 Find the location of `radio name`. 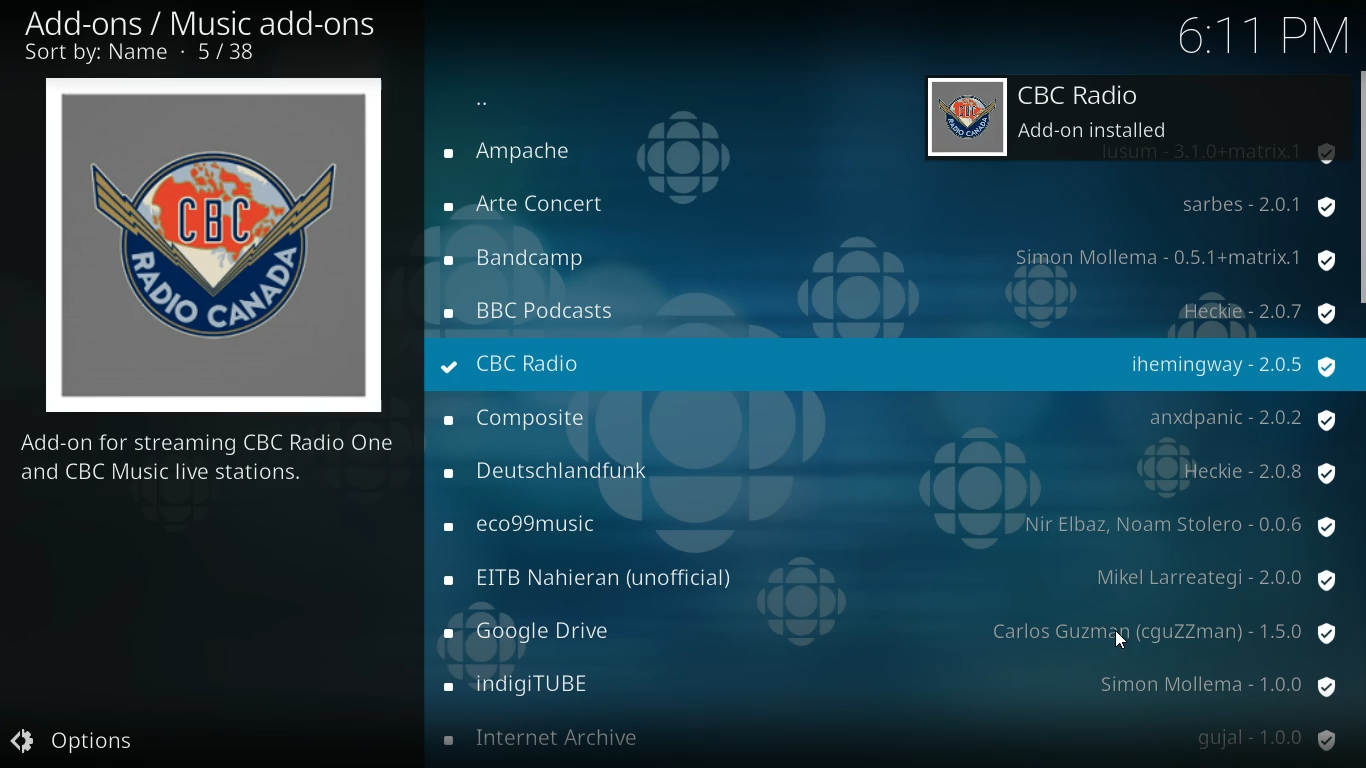

radio name is located at coordinates (530, 423).